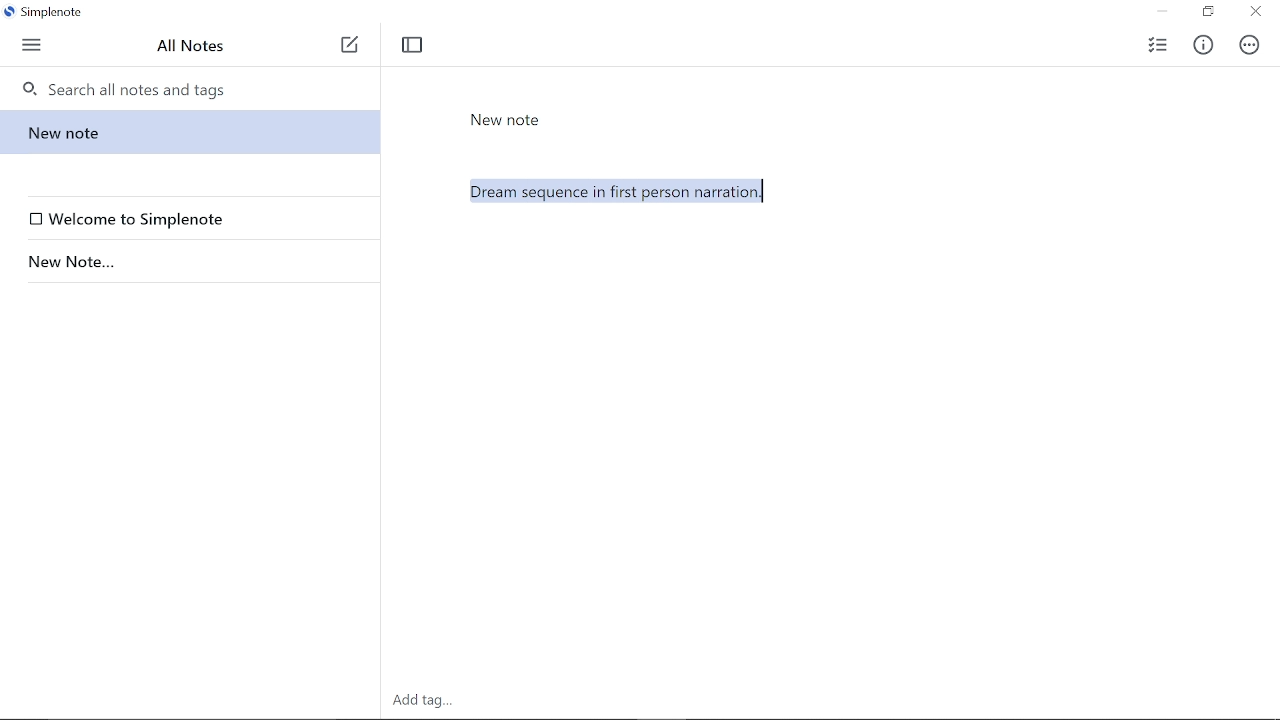  Describe the element at coordinates (506, 120) in the screenshot. I see `New Note` at that location.